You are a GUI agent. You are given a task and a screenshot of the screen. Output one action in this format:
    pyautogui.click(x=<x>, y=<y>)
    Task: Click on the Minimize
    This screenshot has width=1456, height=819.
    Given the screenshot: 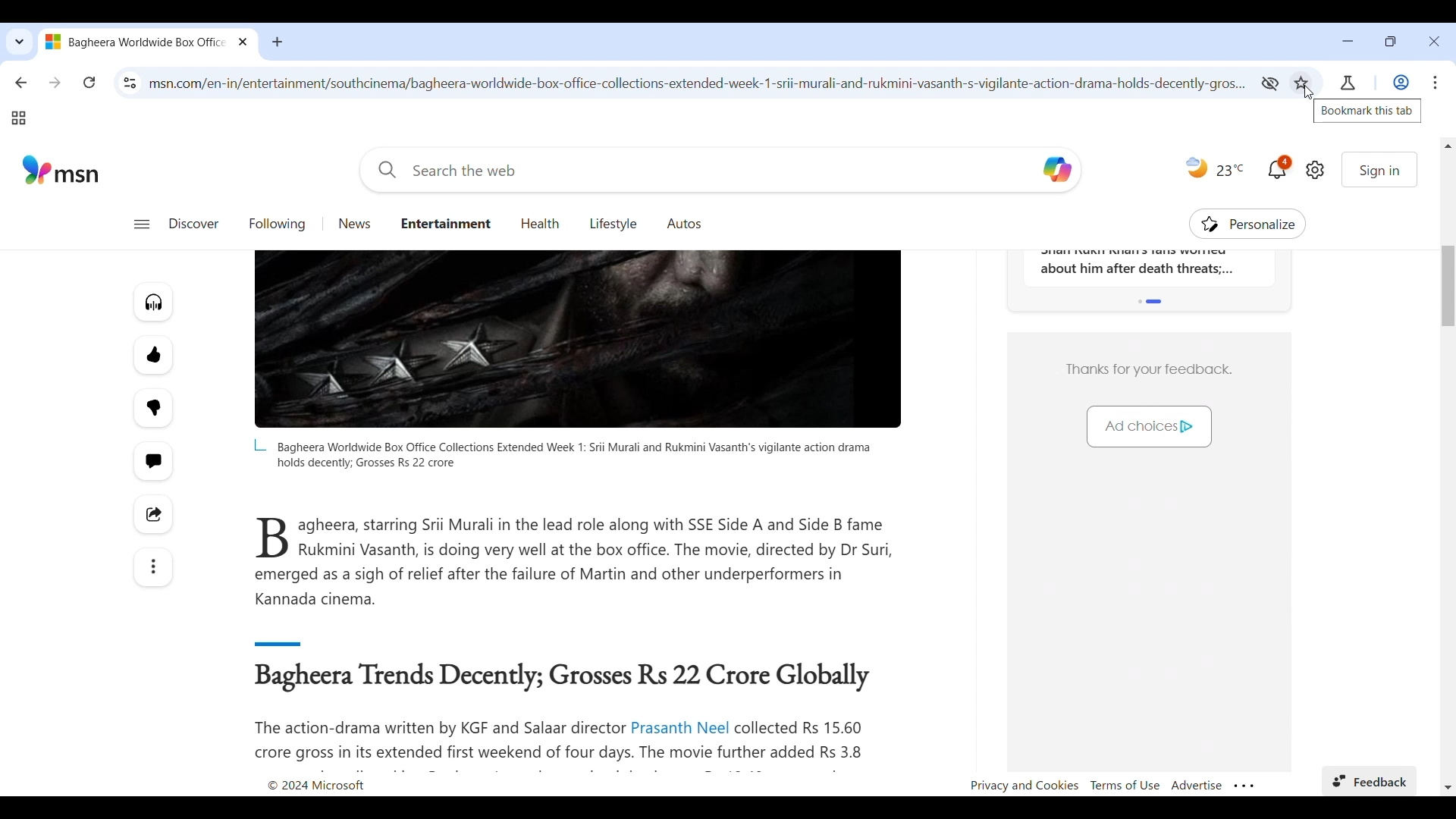 What is the action you would take?
    pyautogui.click(x=1348, y=41)
    